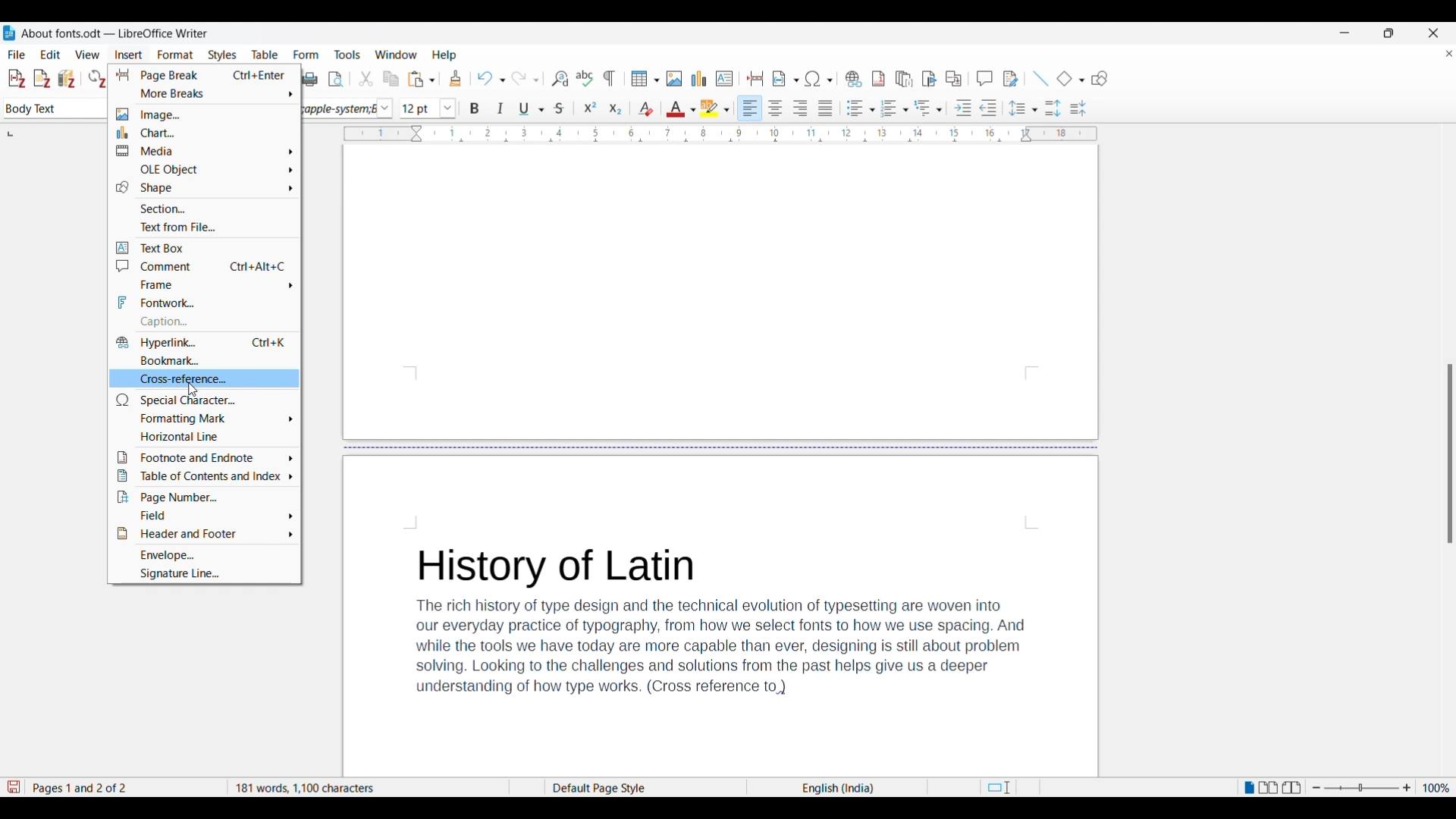 The image size is (1456, 819). Describe the element at coordinates (775, 107) in the screenshot. I see `Align center` at that location.